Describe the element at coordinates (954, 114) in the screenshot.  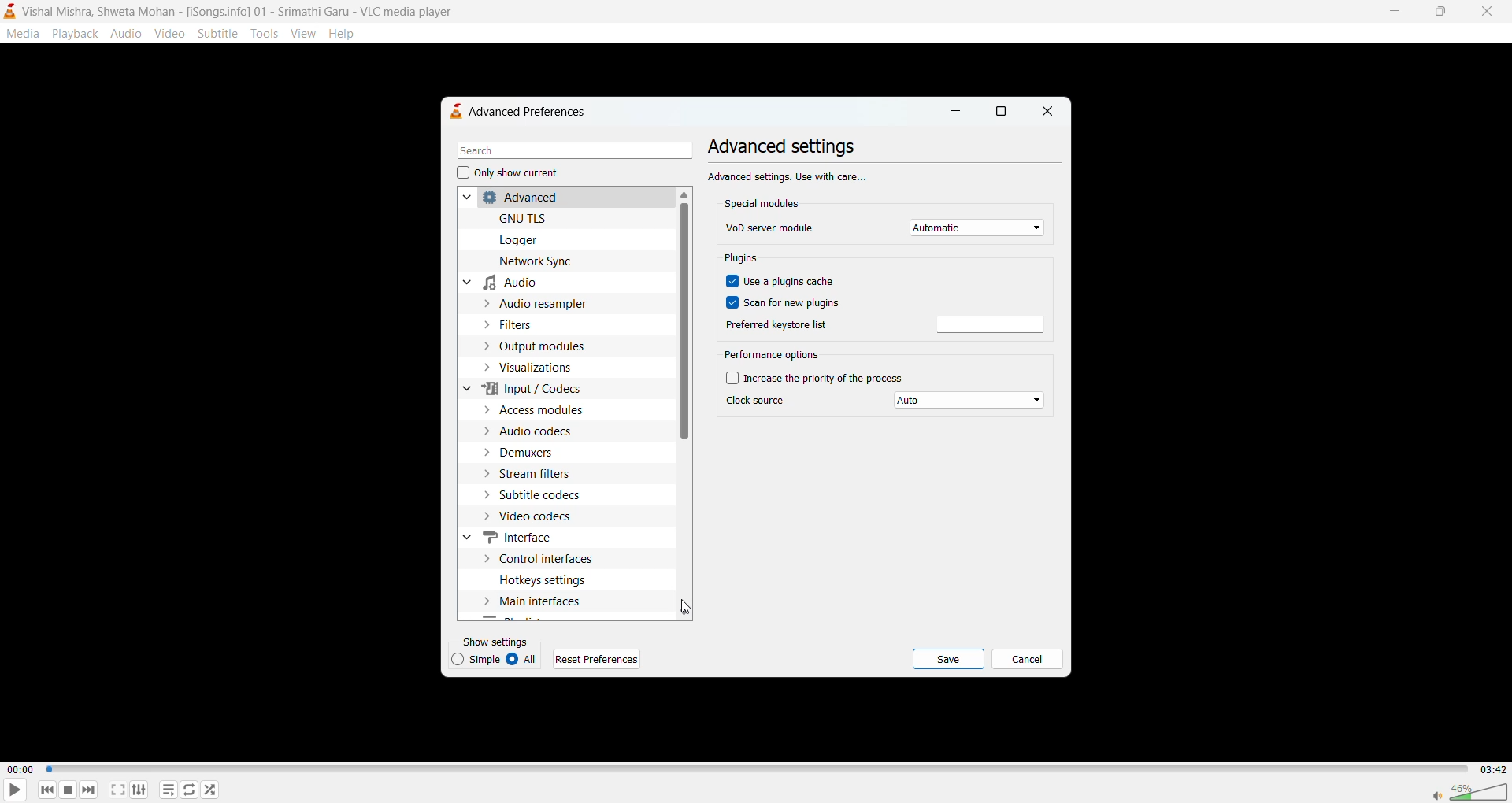
I see `minimize` at that location.